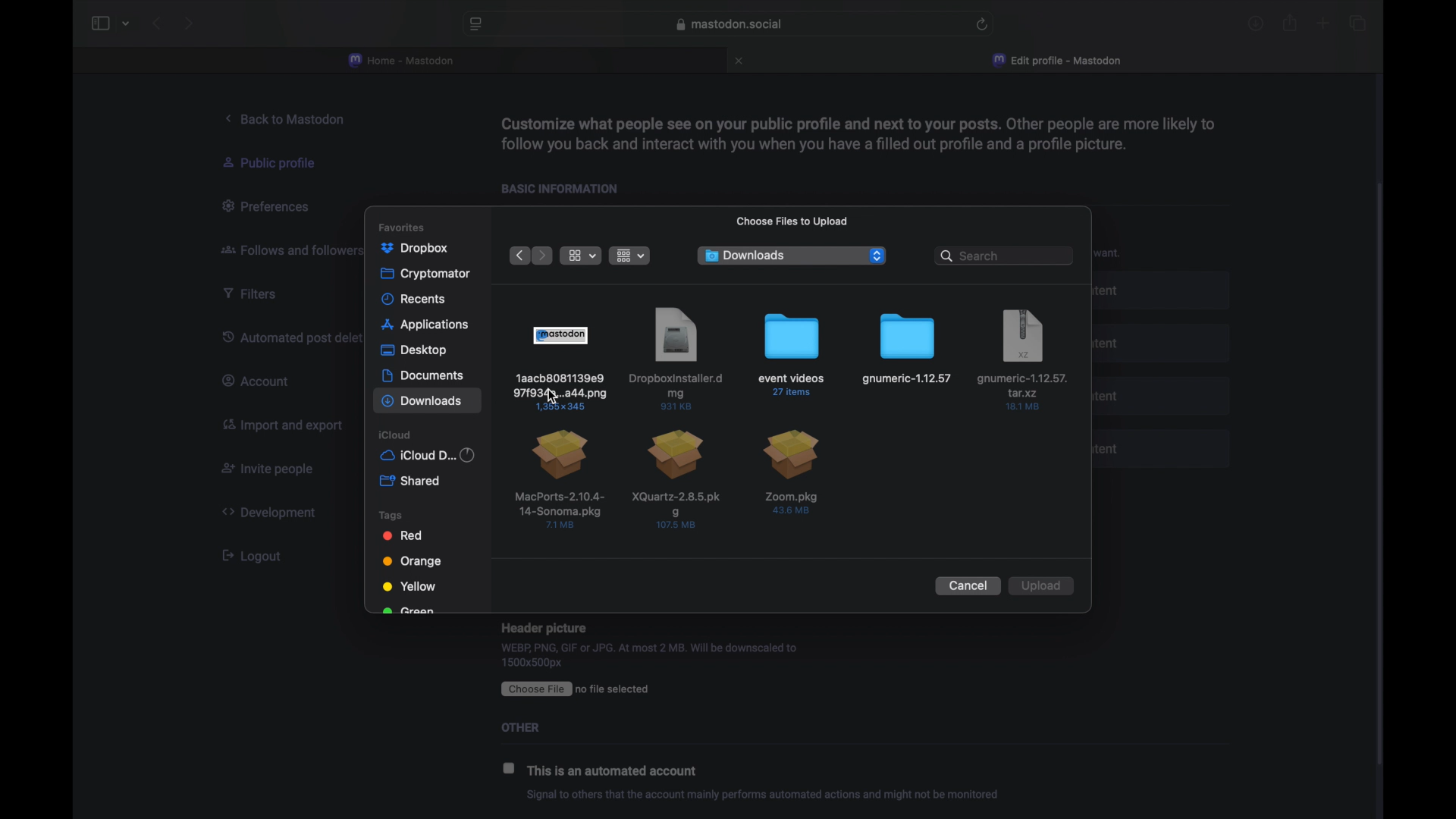  I want to click on back, so click(156, 24).